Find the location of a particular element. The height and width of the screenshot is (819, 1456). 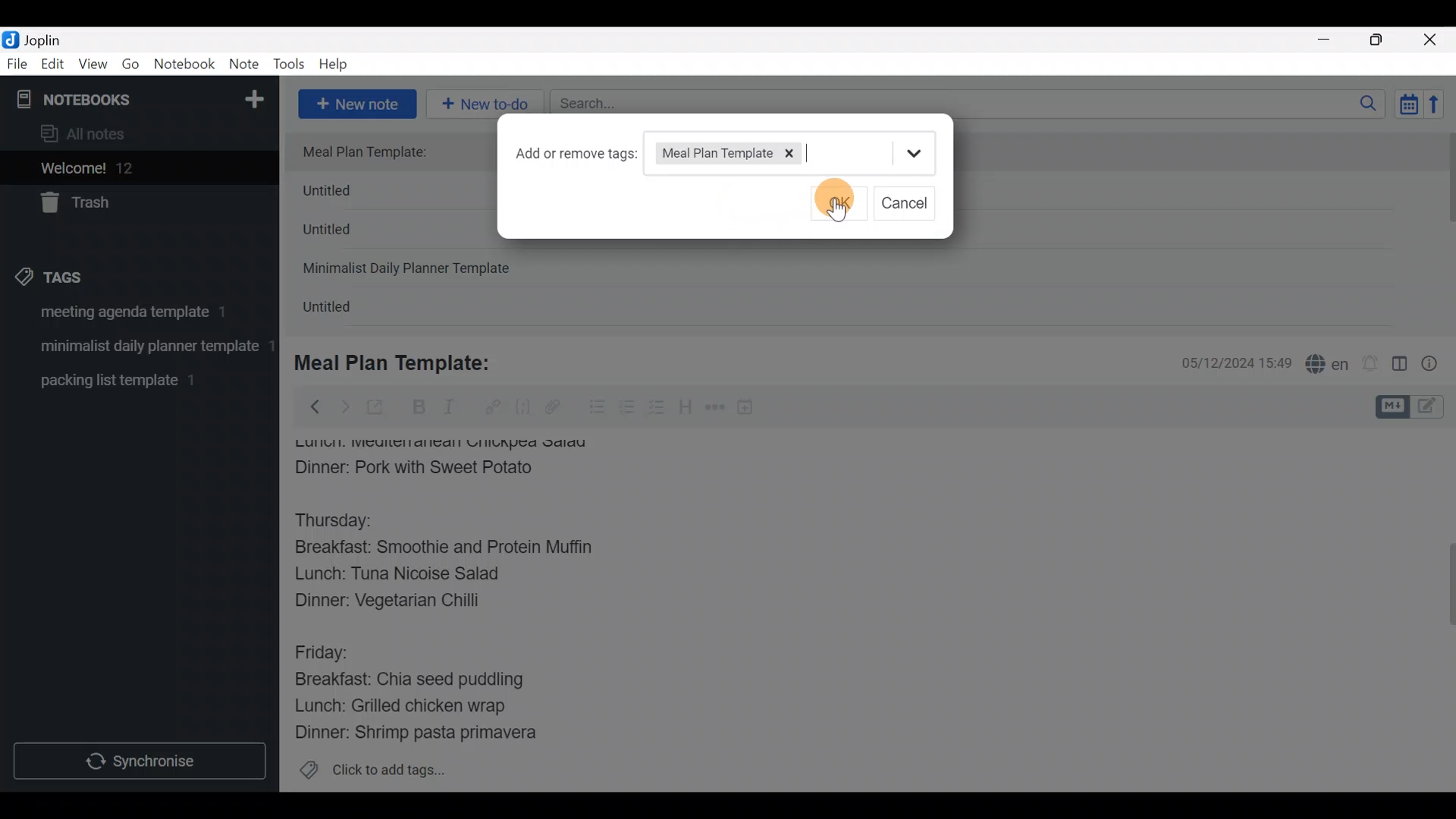

New is located at coordinates (253, 96).